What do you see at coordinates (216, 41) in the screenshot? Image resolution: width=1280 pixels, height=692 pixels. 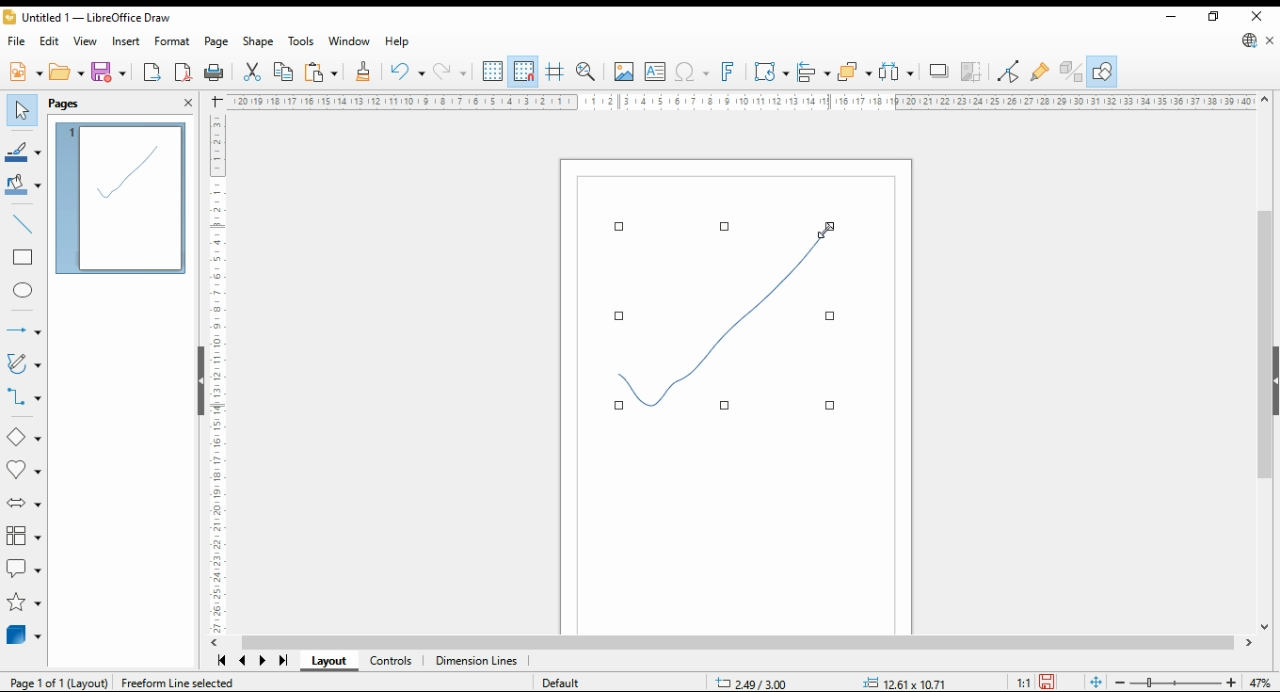 I see `page` at bounding box center [216, 41].